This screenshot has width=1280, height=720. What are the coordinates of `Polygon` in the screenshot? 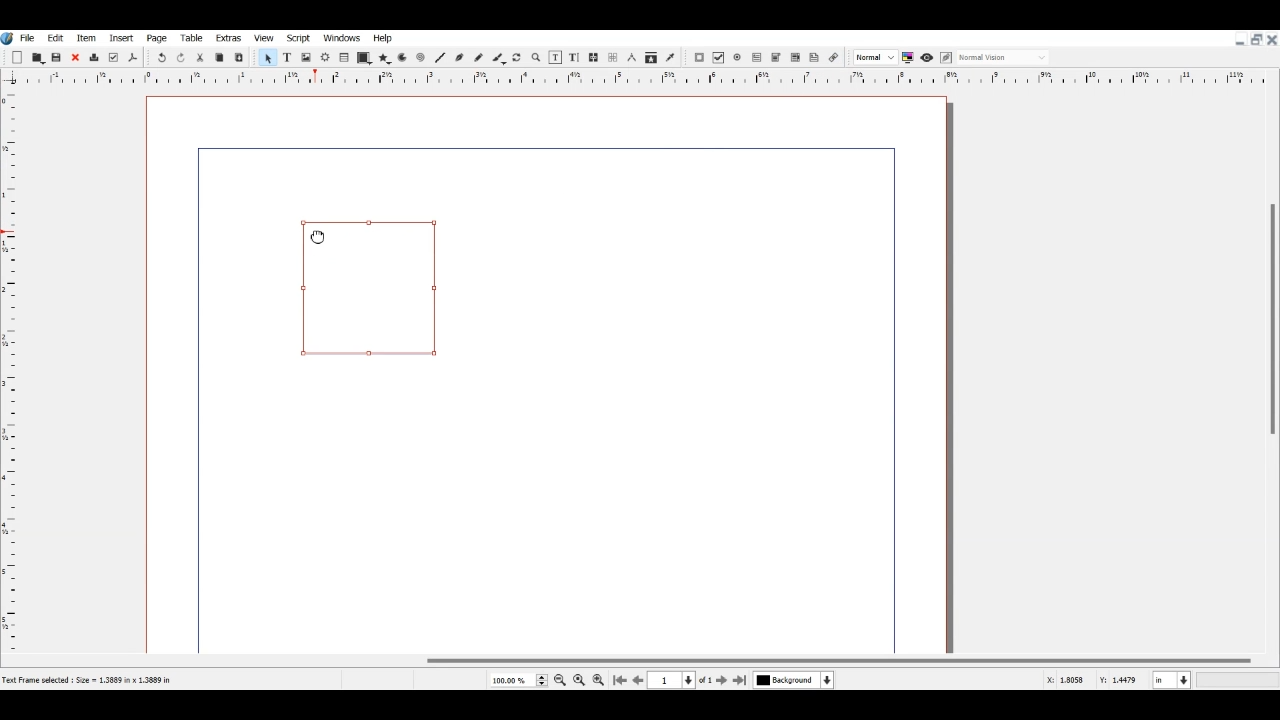 It's located at (384, 58).